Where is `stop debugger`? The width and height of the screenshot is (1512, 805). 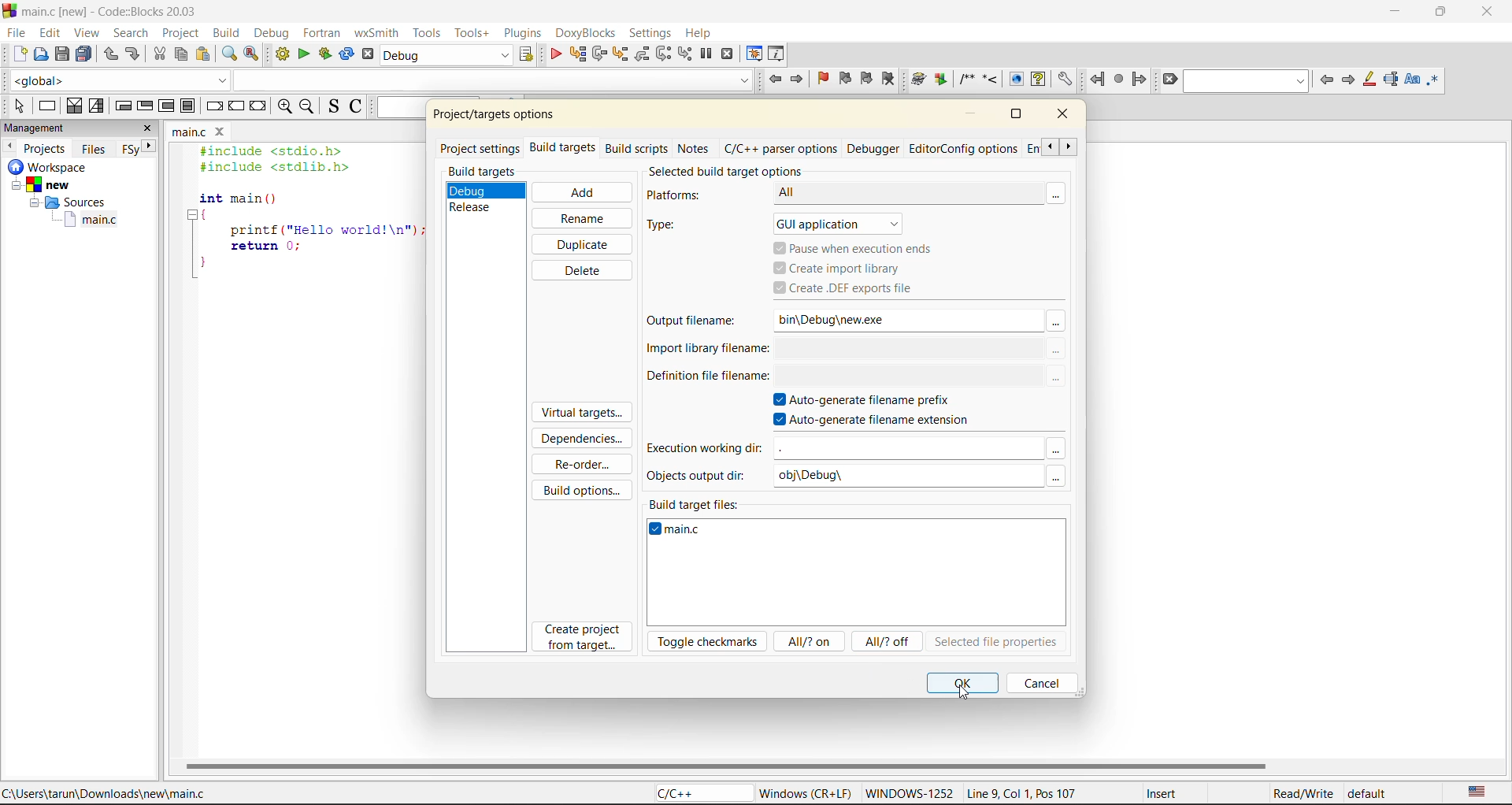 stop debugger is located at coordinates (728, 54).